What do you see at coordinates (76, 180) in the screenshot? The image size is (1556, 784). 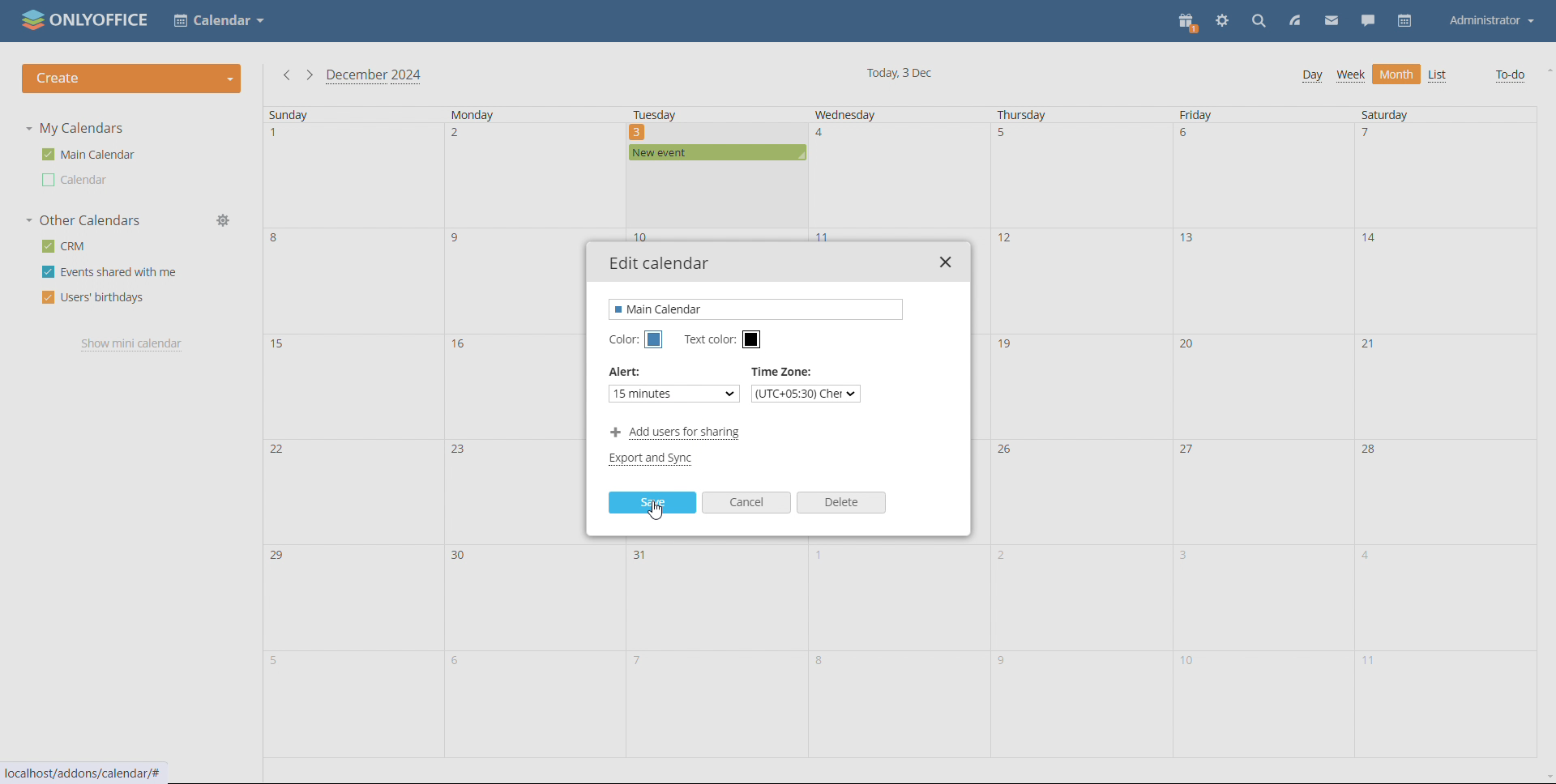 I see `other calendar` at bounding box center [76, 180].